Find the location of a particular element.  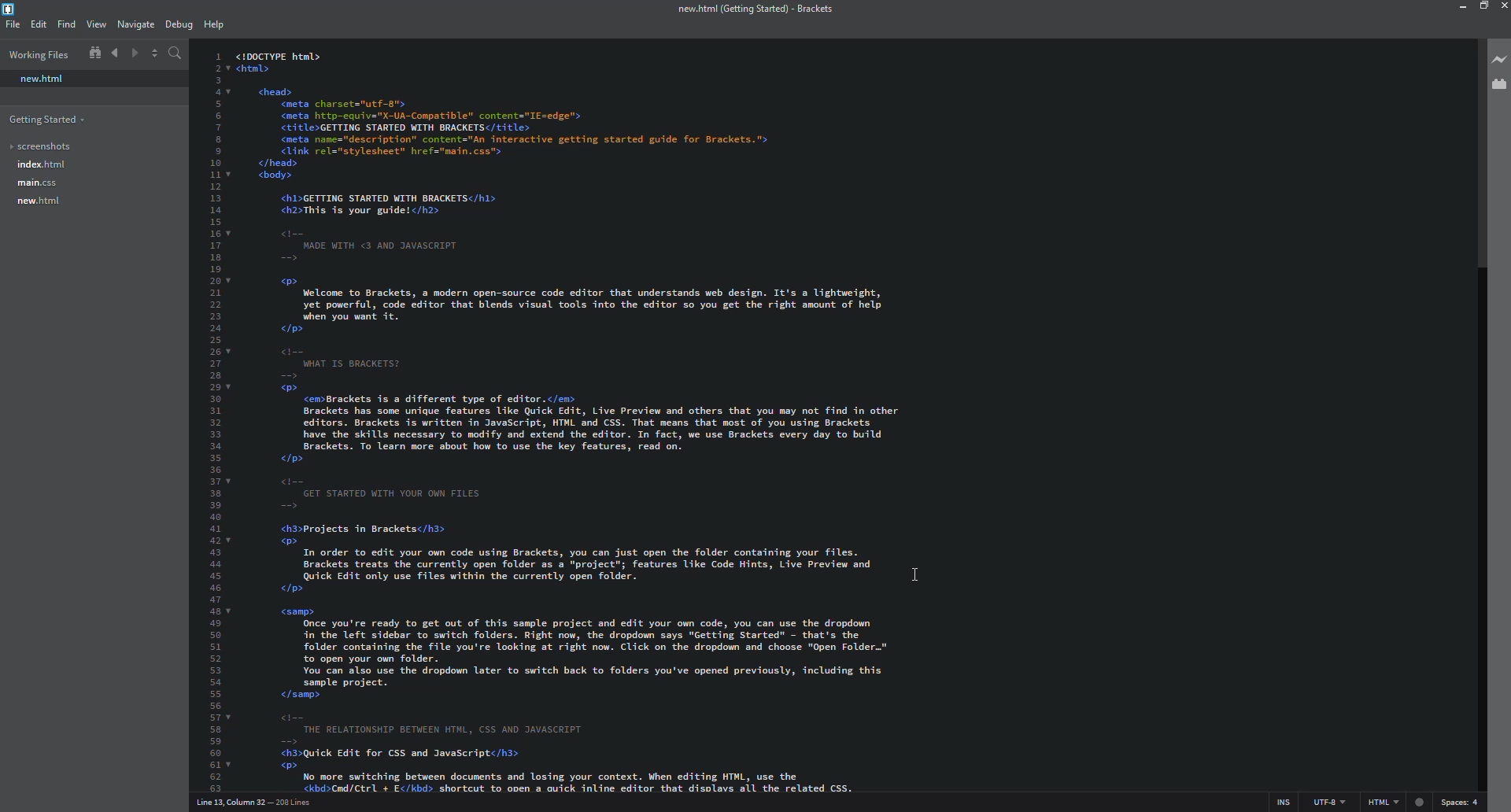

close is located at coordinates (1503, 7).